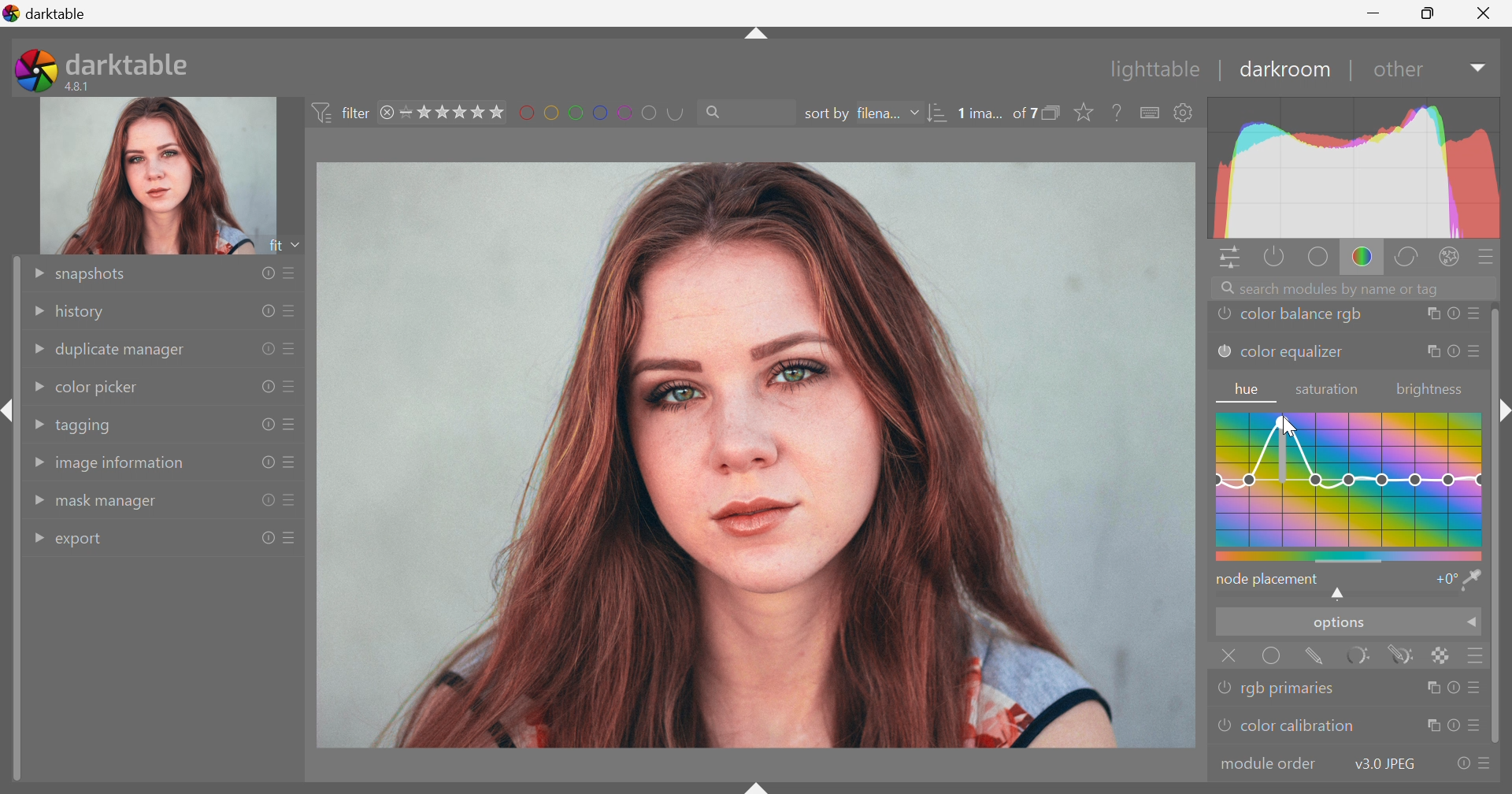  Describe the element at coordinates (1473, 625) in the screenshot. I see `Drop Down` at that location.